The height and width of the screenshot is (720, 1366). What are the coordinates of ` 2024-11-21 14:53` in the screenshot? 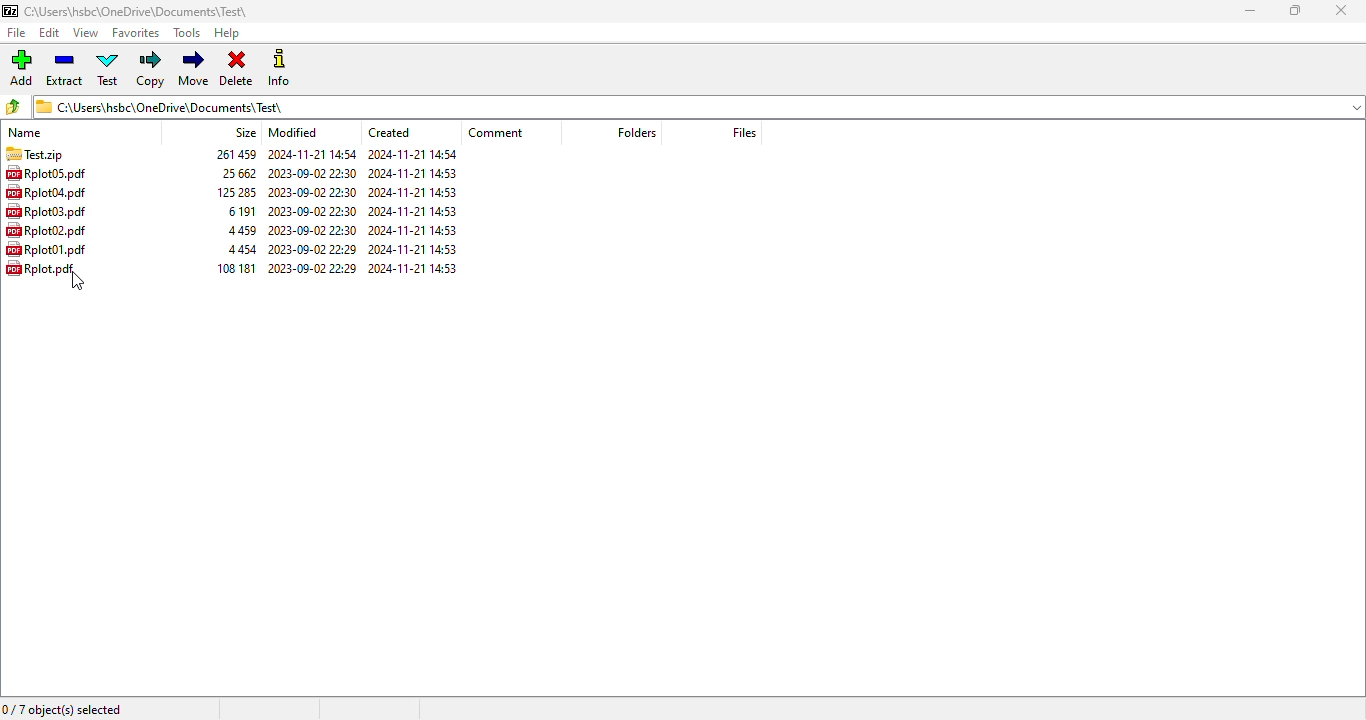 It's located at (413, 213).